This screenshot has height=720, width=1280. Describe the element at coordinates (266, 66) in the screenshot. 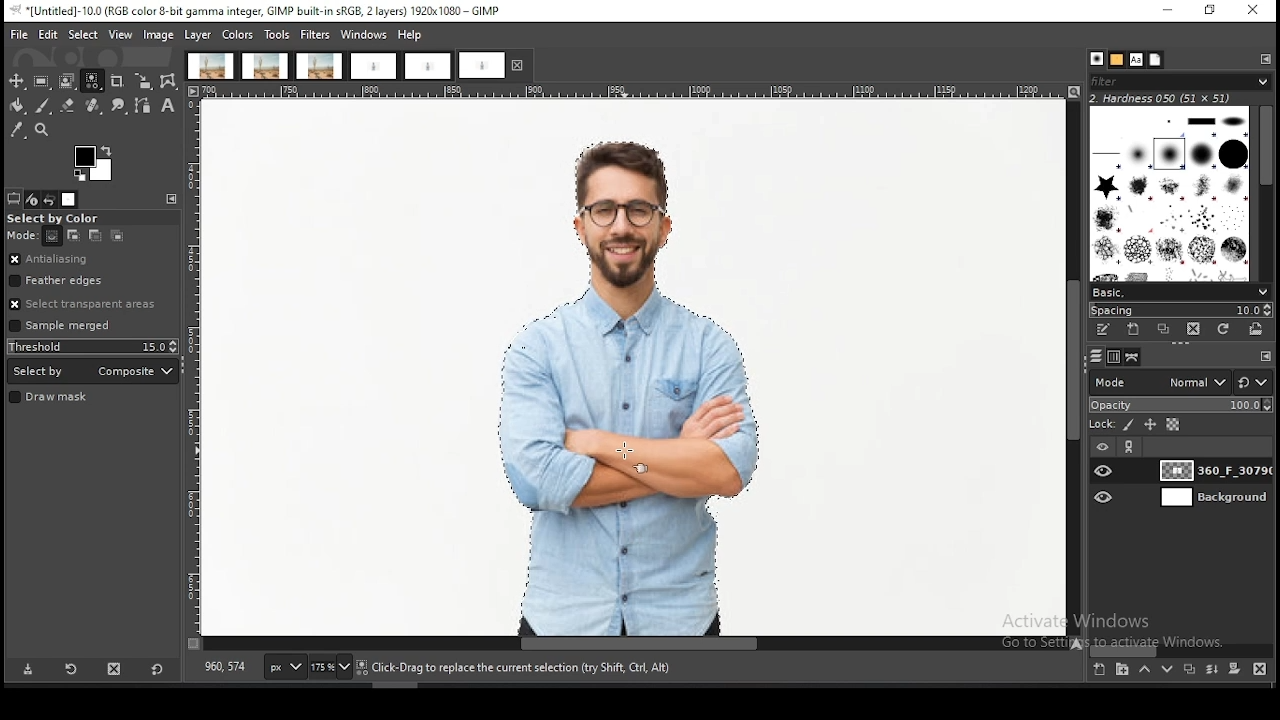

I see `project tab` at that location.